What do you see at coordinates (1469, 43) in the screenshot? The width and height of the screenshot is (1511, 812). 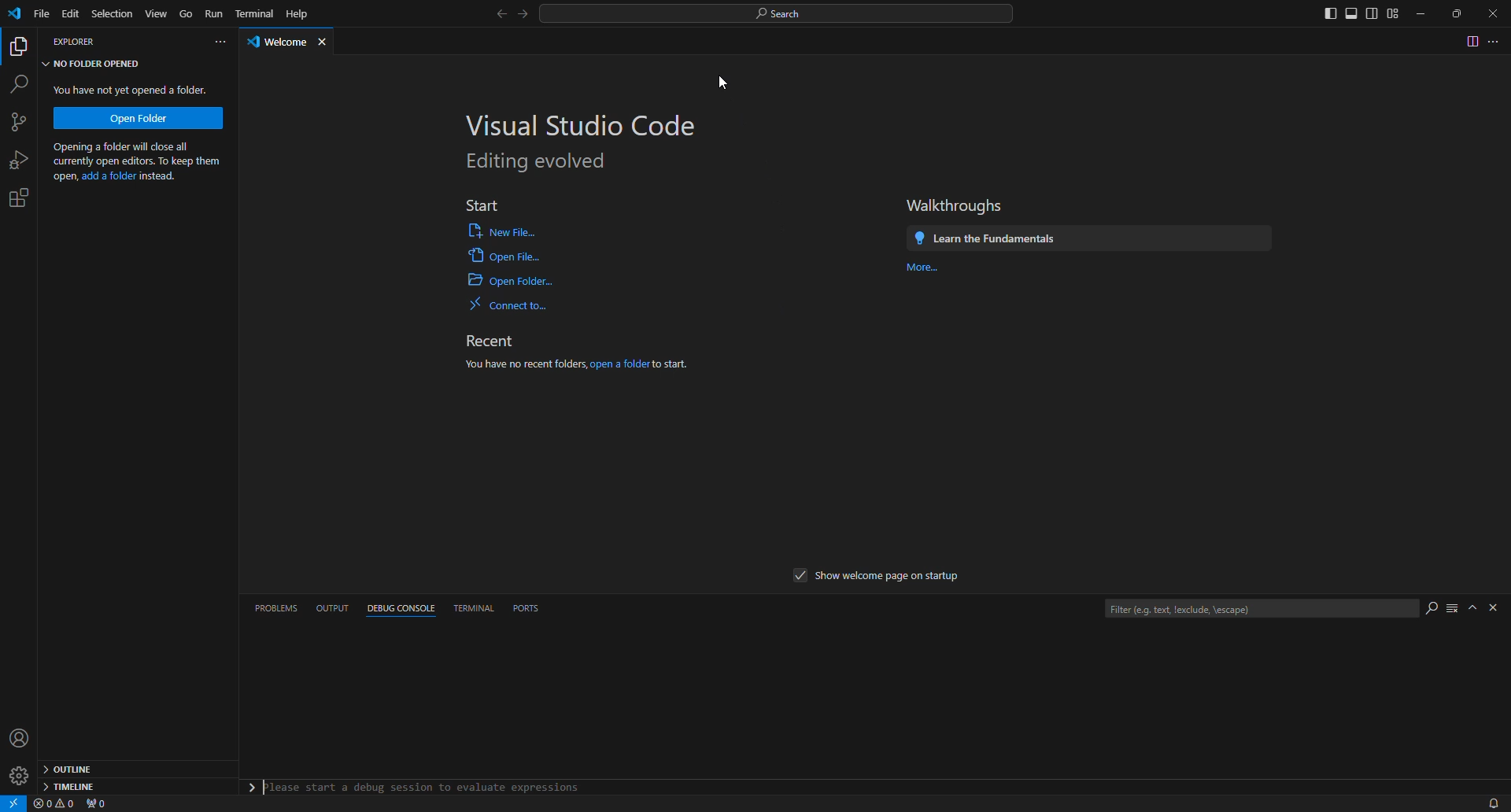 I see `toggle switch page` at bounding box center [1469, 43].